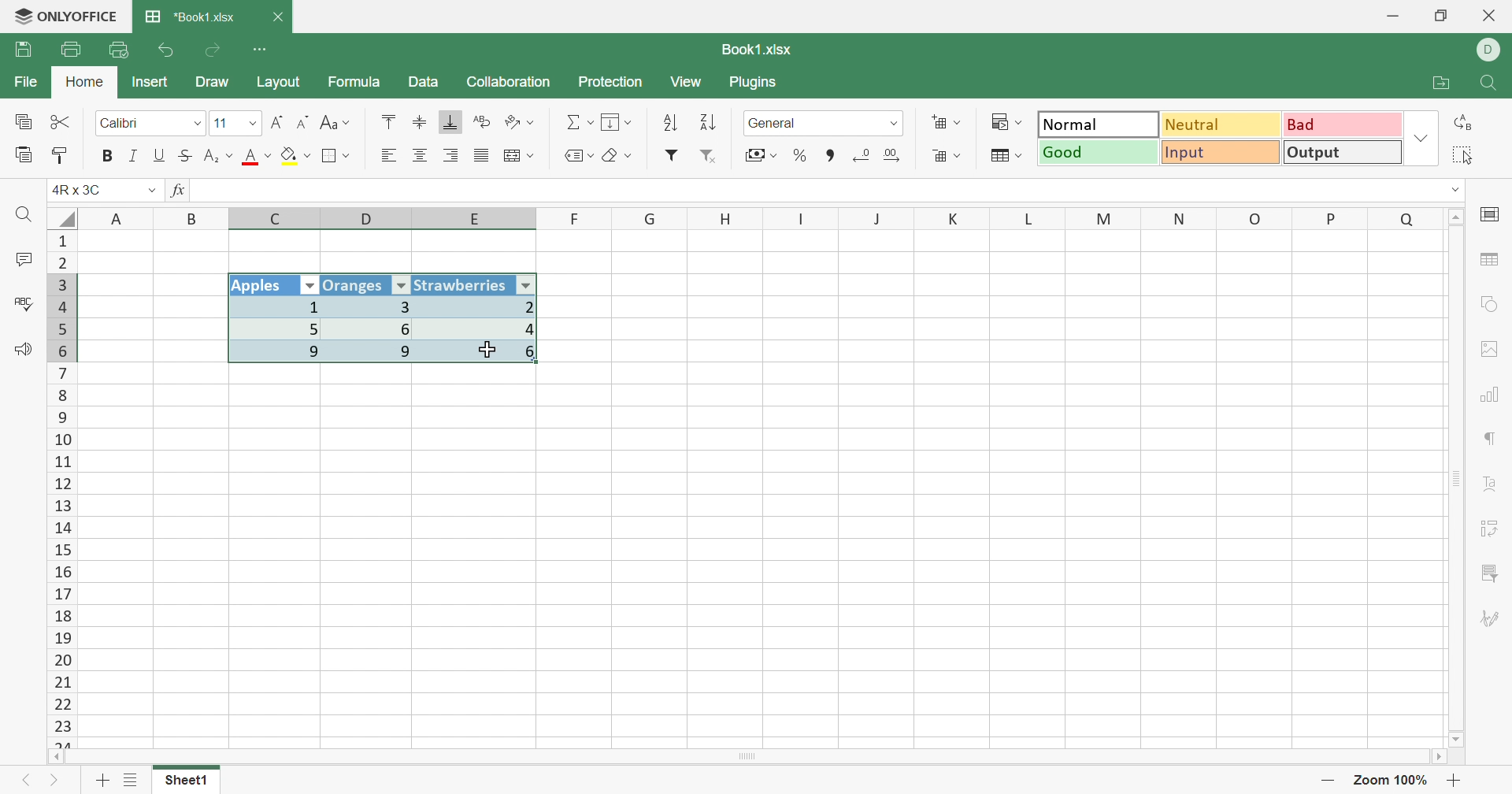 The height and width of the screenshot is (794, 1512). What do you see at coordinates (1421, 140) in the screenshot?
I see `Drop Down` at bounding box center [1421, 140].